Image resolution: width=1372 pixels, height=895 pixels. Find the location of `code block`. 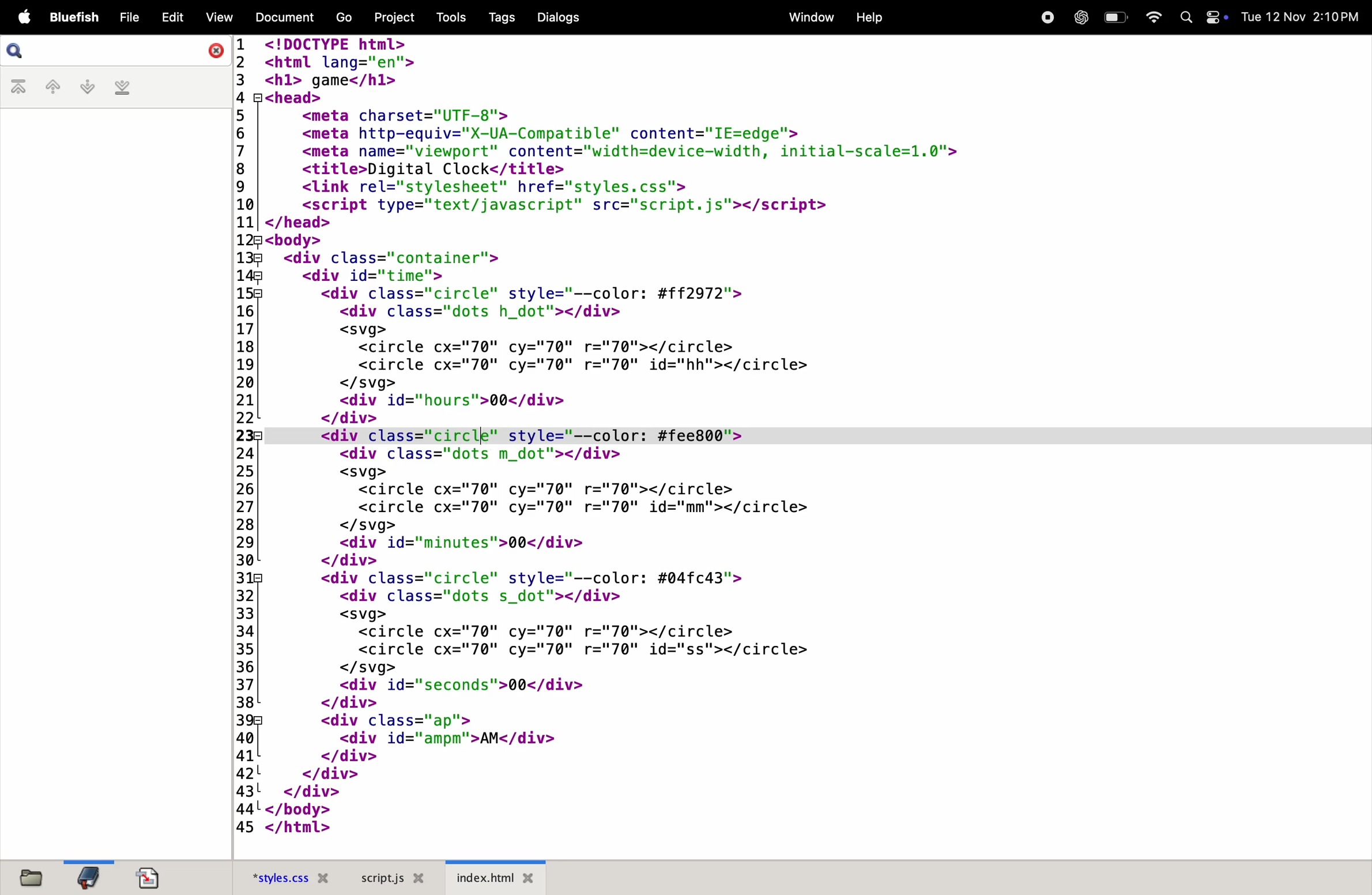

code block is located at coordinates (683, 228).